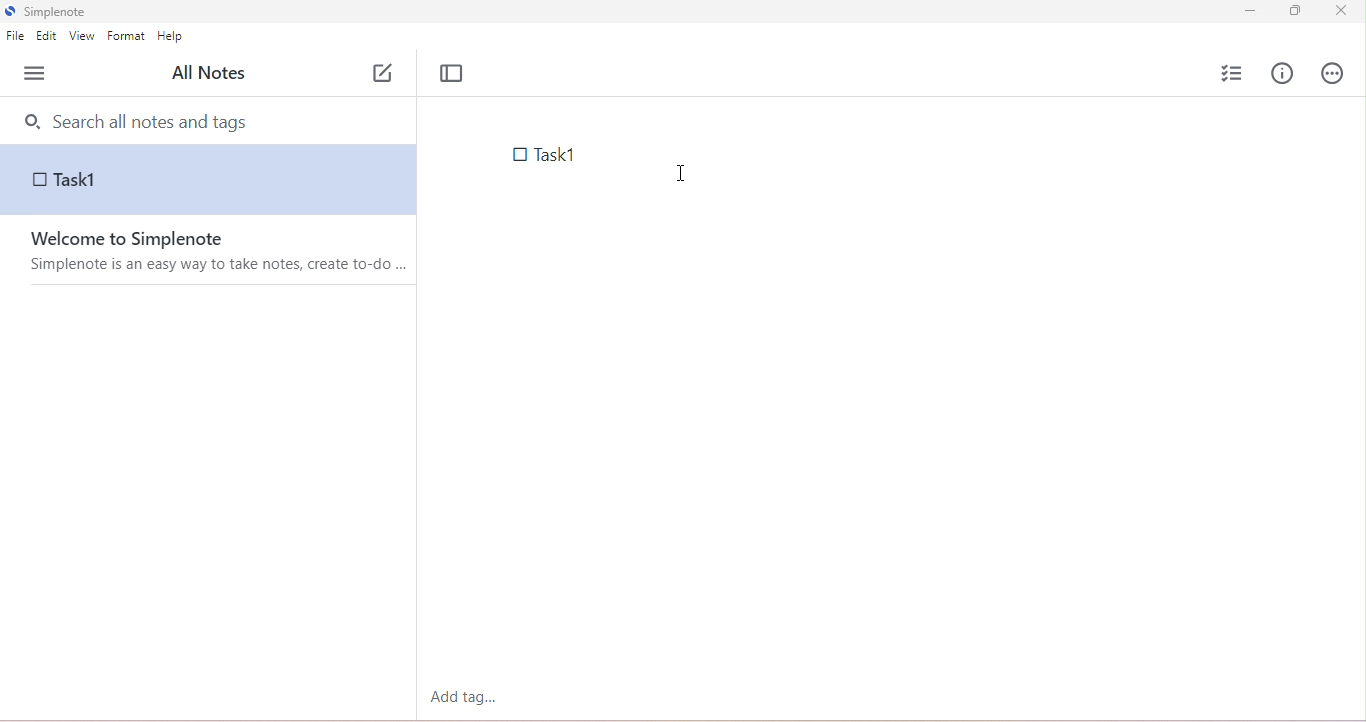 This screenshot has height=722, width=1366. Describe the element at coordinates (129, 37) in the screenshot. I see `format` at that location.